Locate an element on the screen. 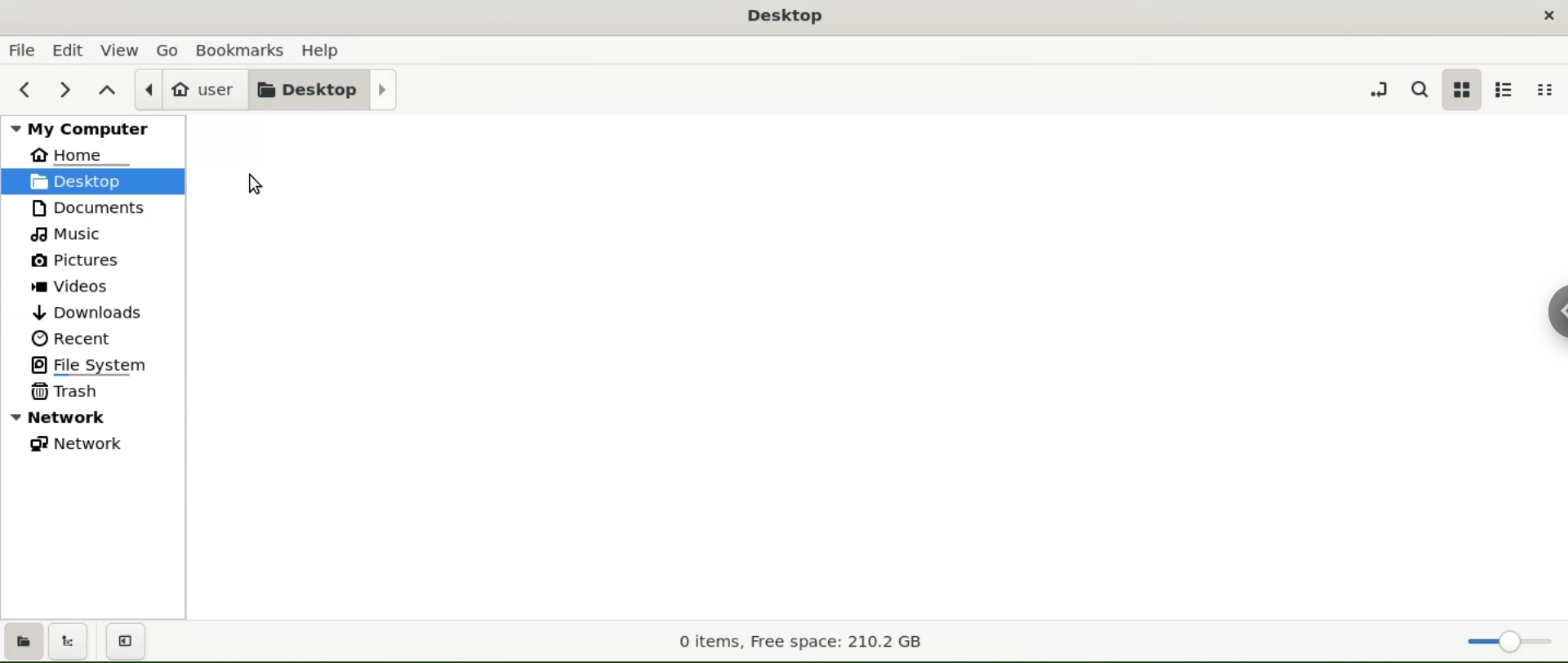  show treeview is located at coordinates (71, 641).